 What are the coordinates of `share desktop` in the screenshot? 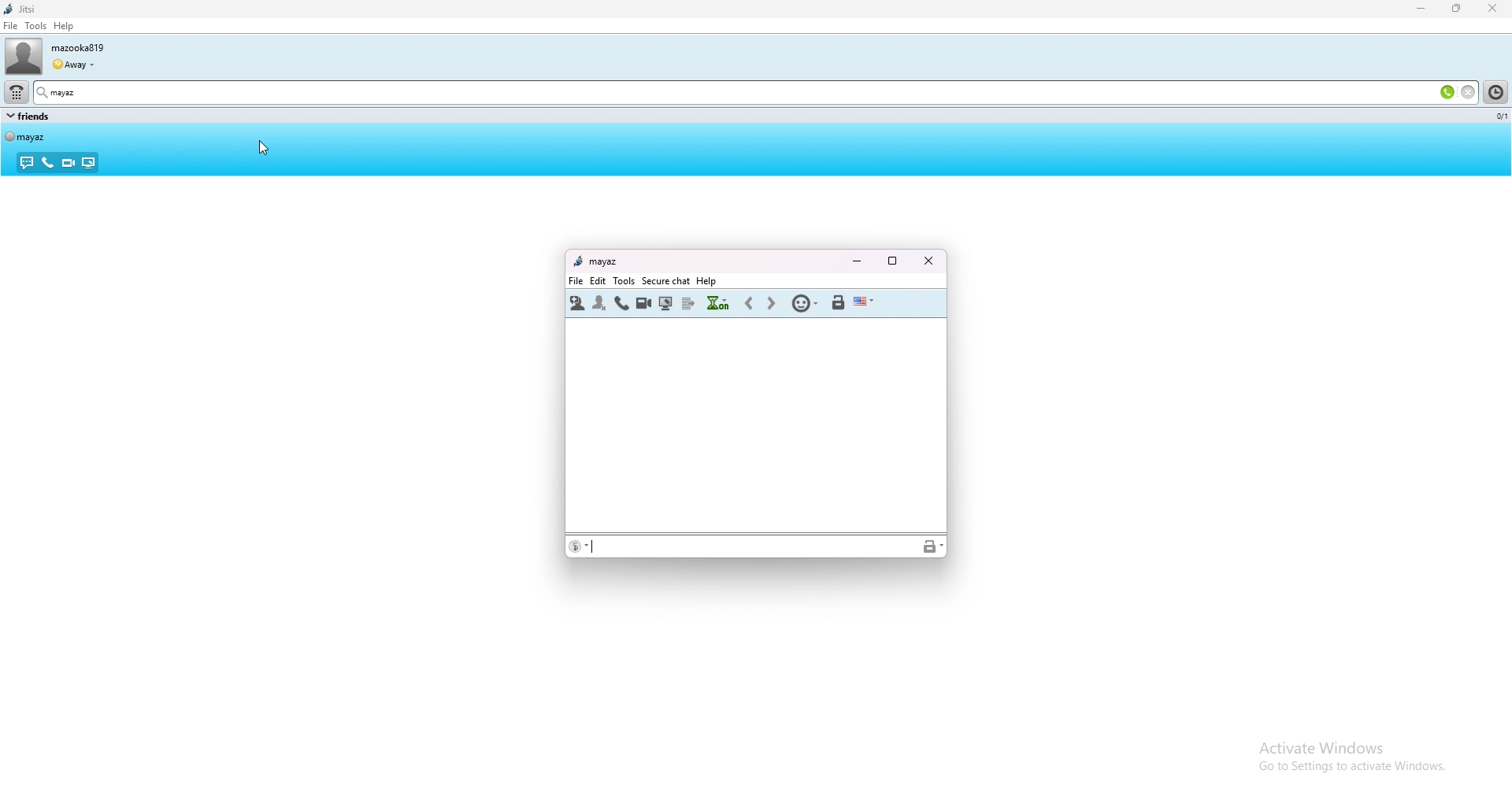 It's located at (666, 303).